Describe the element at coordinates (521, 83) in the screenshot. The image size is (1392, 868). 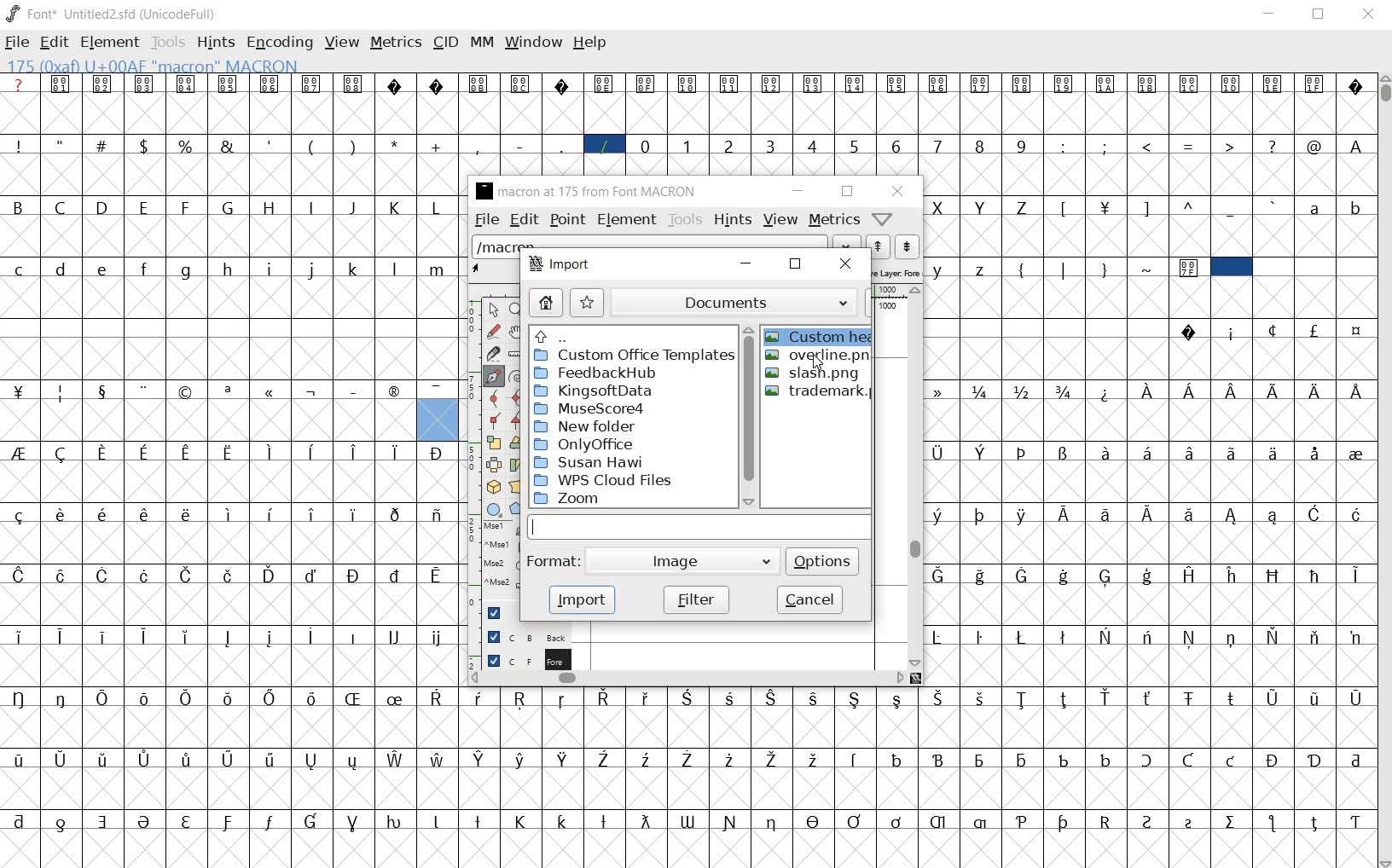
I see `Symbol` at that location.